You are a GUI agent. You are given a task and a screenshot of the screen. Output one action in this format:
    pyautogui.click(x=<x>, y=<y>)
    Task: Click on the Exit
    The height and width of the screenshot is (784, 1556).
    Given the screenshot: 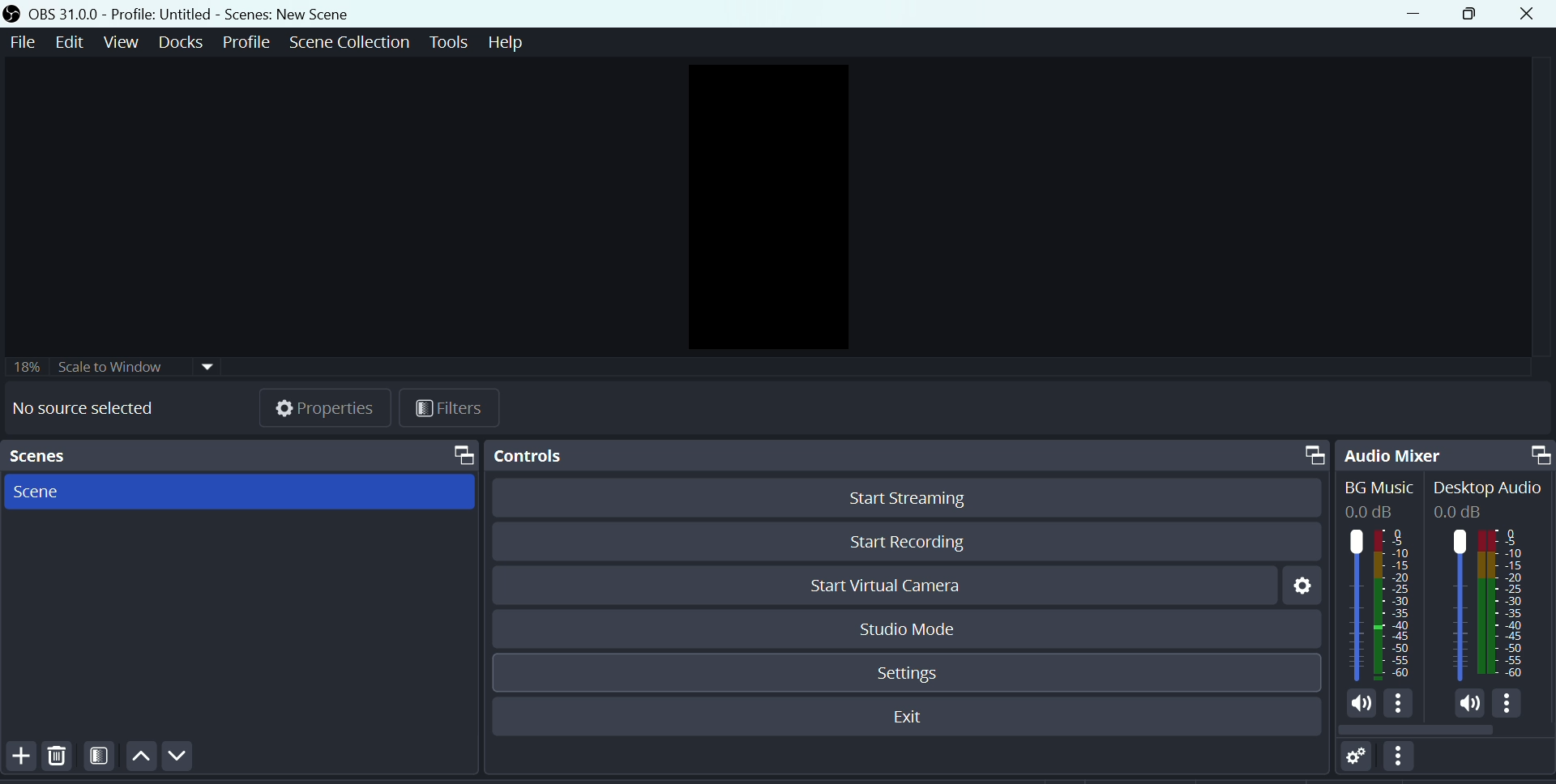 What is the action you would take?
    pyautogui.click(x=904, y=718)
    